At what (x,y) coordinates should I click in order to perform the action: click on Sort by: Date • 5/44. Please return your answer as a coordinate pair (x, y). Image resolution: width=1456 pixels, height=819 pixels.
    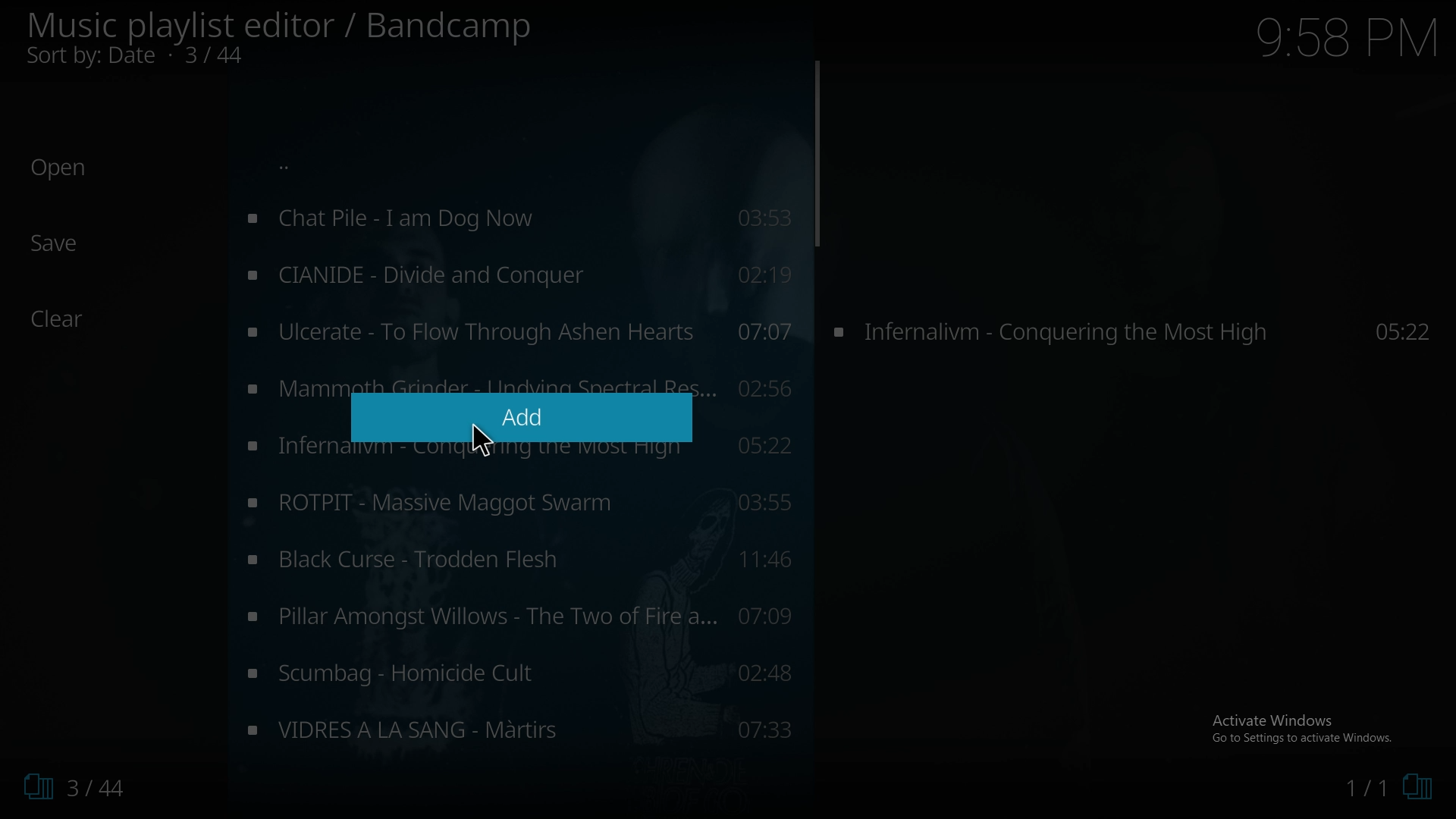
    Looking at the image, I should click on (161, 58).